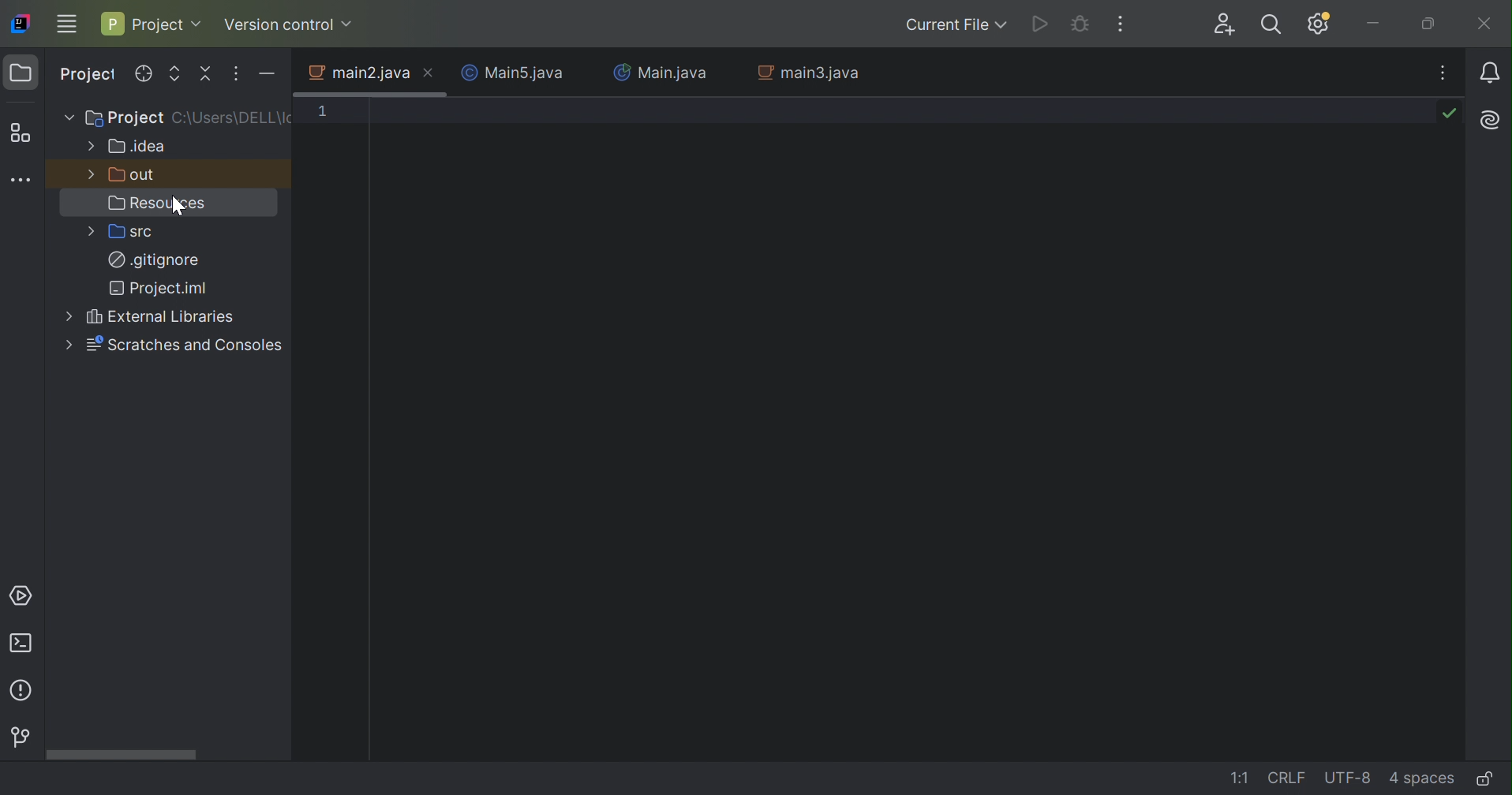 Image resolution: width=1512 pixels, height=795 pixels. What do you see at coordinates (1274, 25) in the screenshot?
I see `Search everywhere` at bounding box center [1274, 25].